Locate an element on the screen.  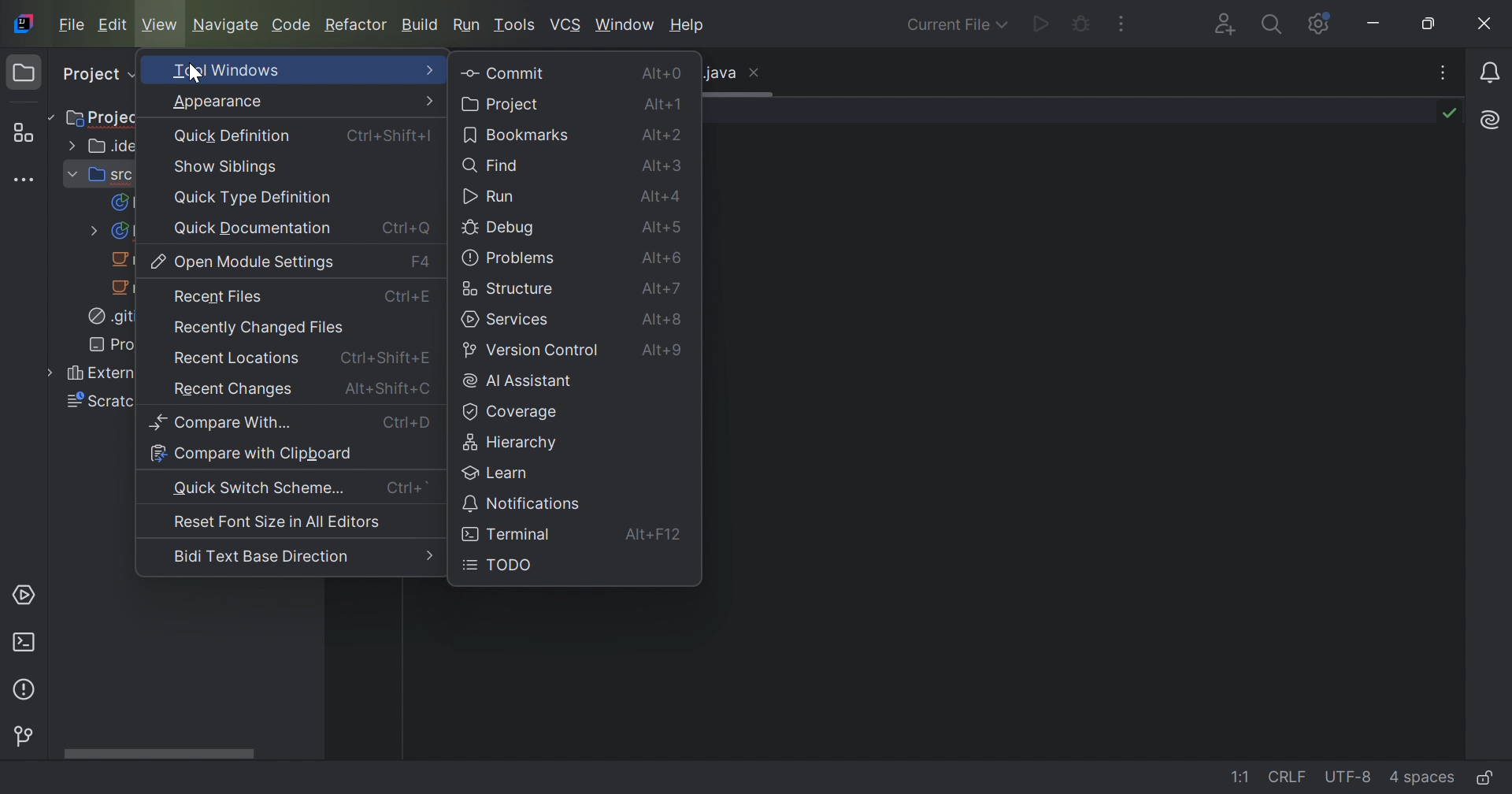
Scroll bar is located at coordinates (156, 750).